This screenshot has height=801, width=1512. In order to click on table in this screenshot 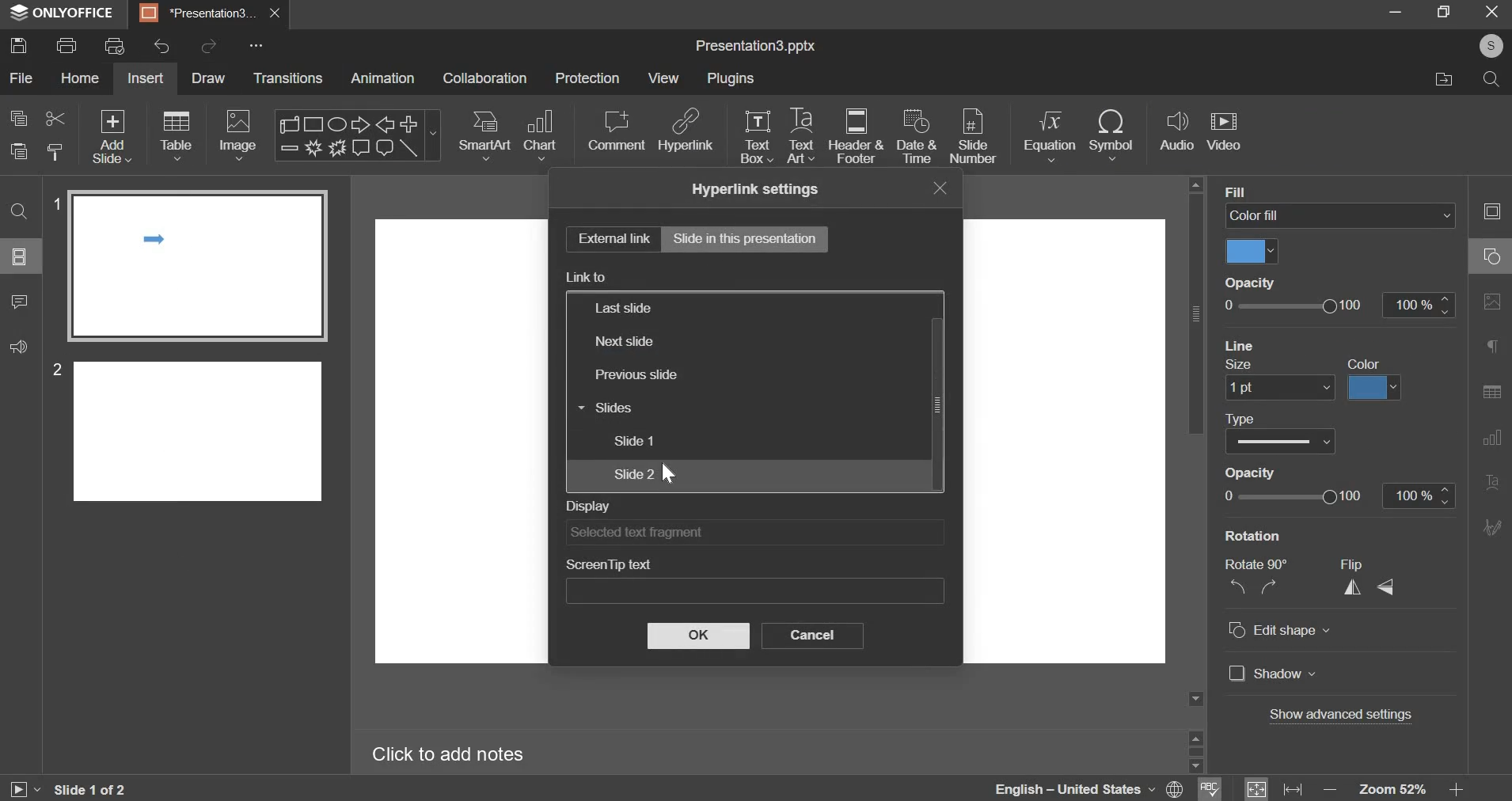, I will do `click(178, 135)`.